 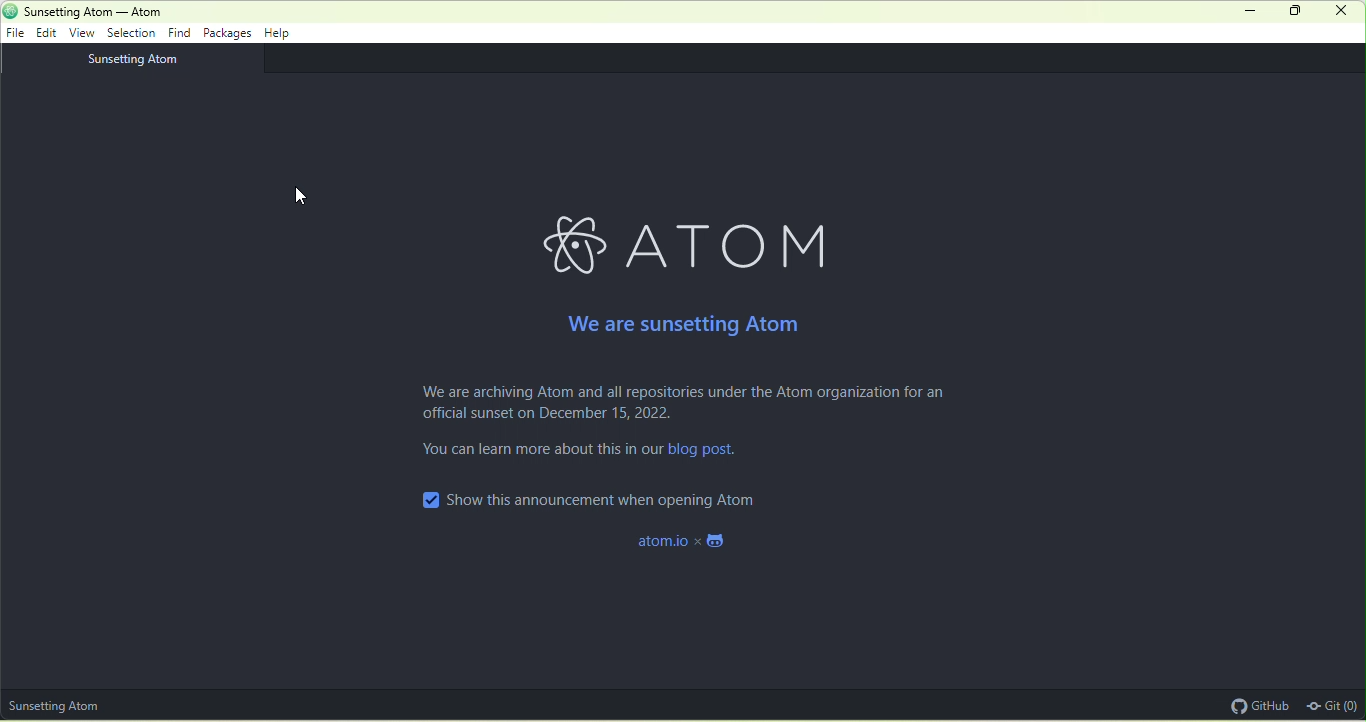 What do you see at coordinates (568, 244) in the screenshot?
I see `atom logo` at bounding box center [568, 244].